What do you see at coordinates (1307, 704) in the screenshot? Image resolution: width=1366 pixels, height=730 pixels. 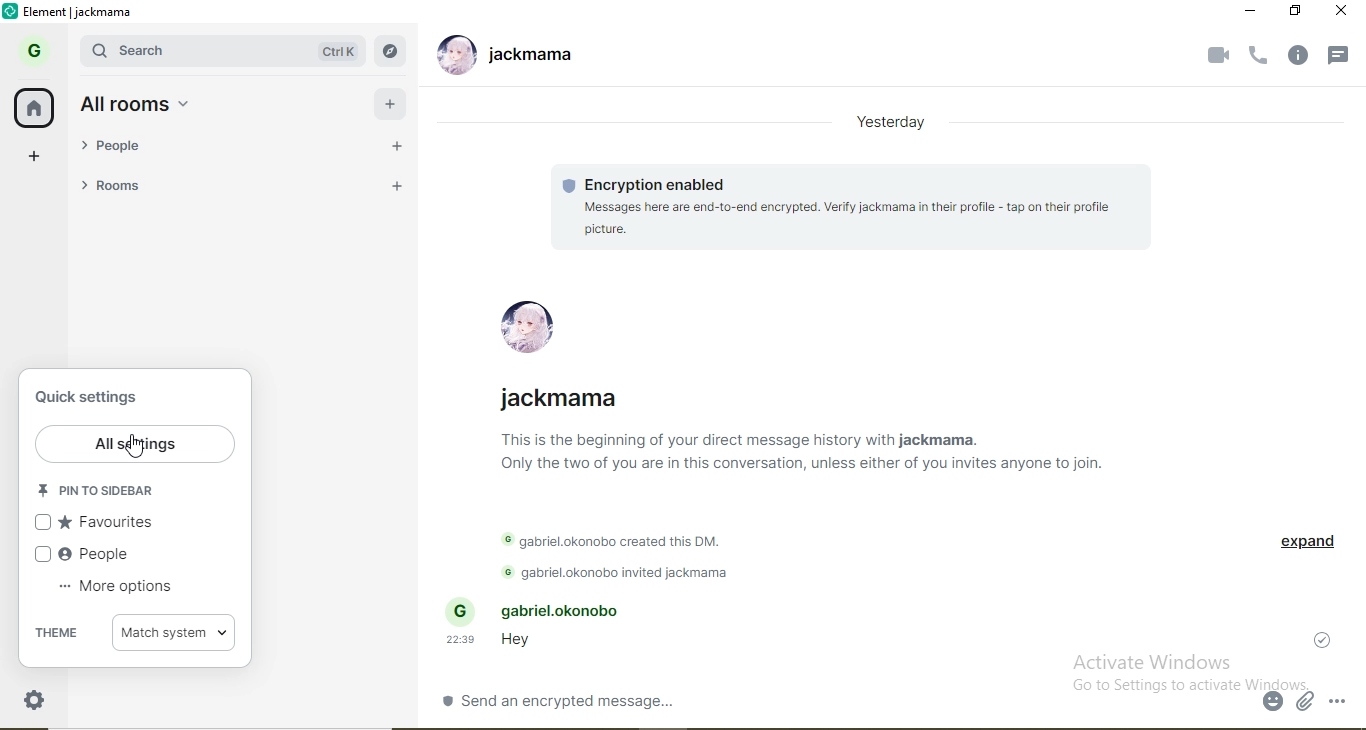 I see `attachment` at bounding box center [1307, 704].